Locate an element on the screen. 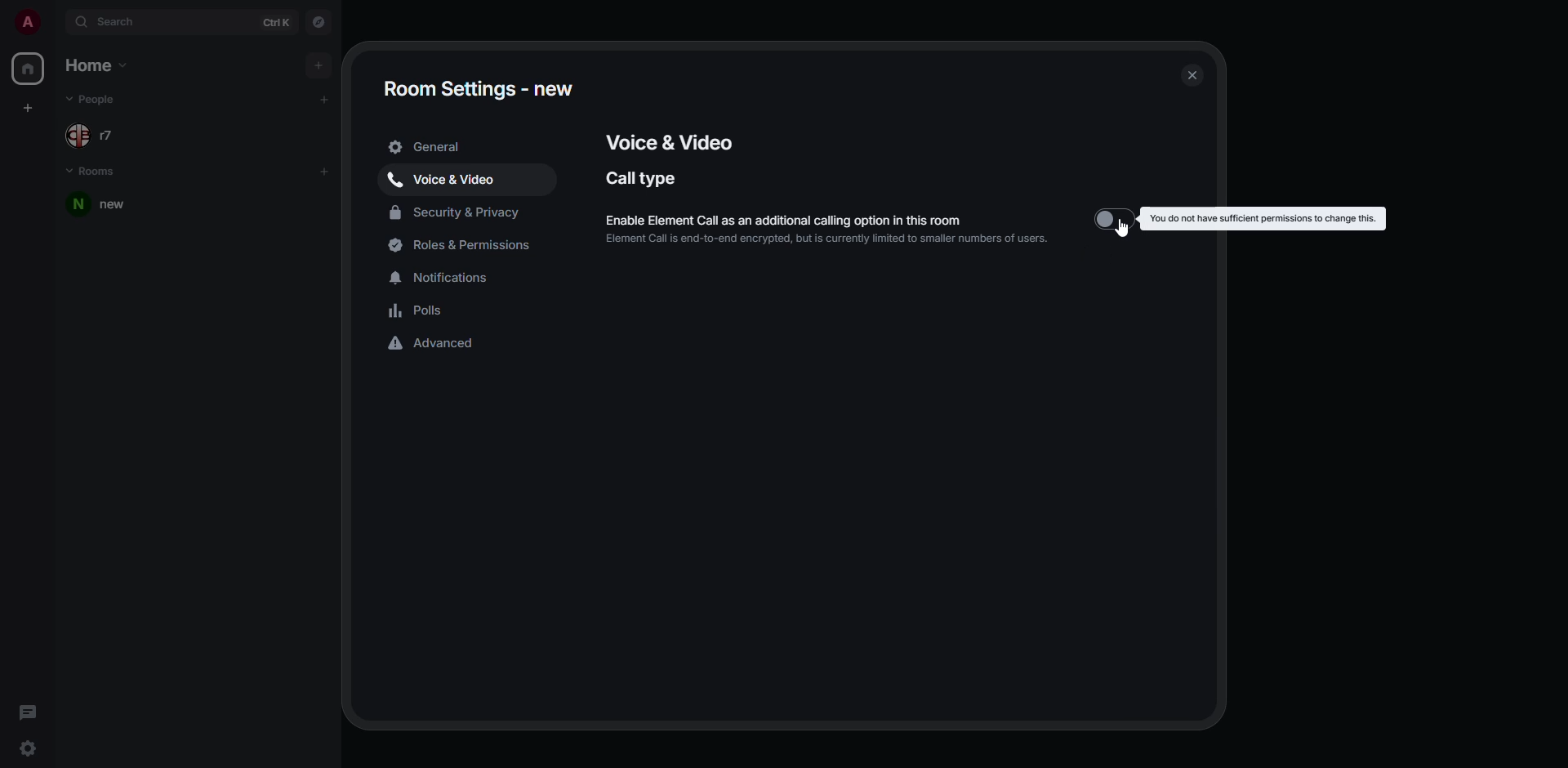 This screenshot has height=768, width=1568. close is located at coordinates (1188, 74).